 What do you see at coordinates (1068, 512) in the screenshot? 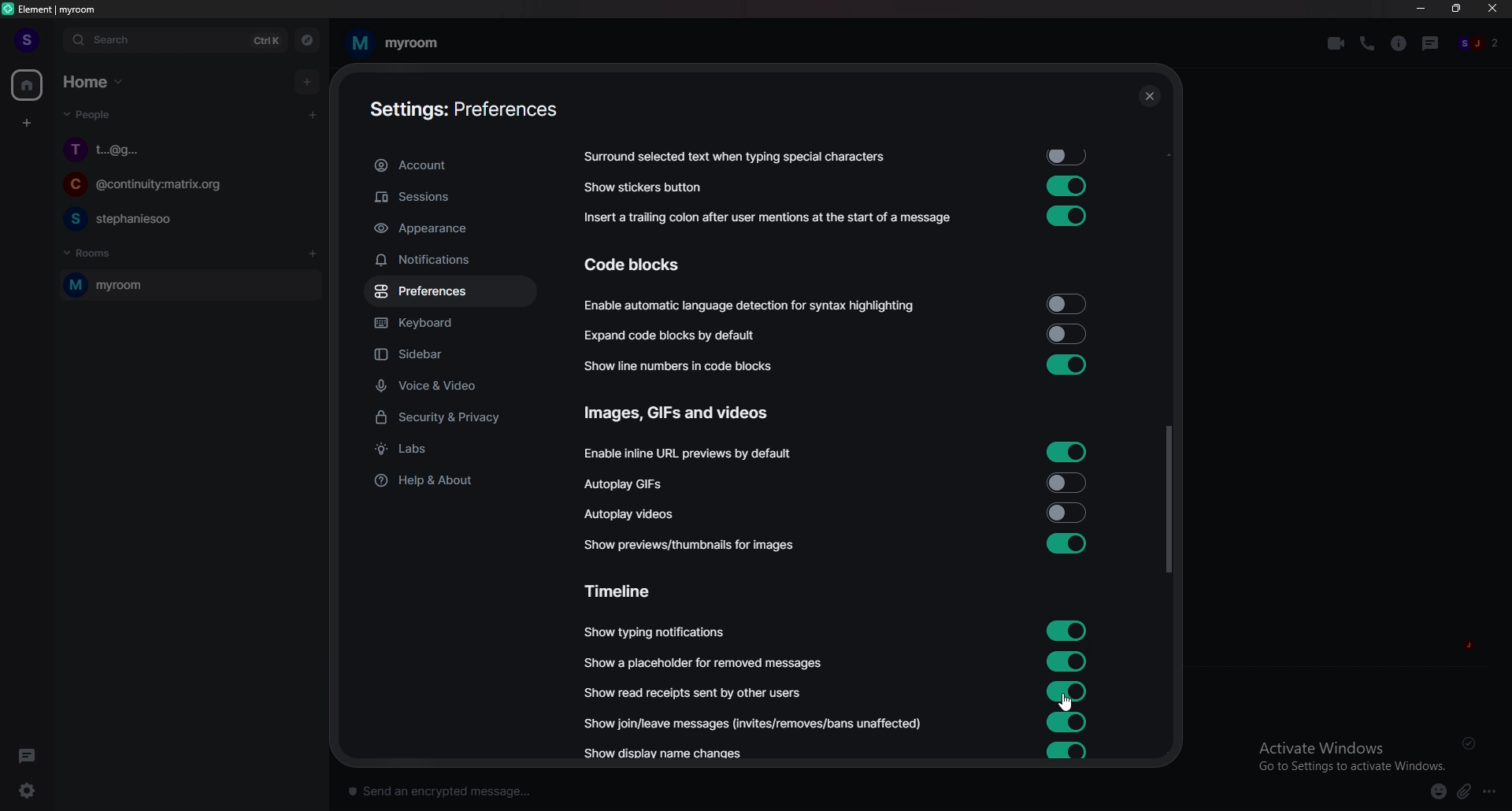
I see `toggle` at bounding box center [1068, 512].